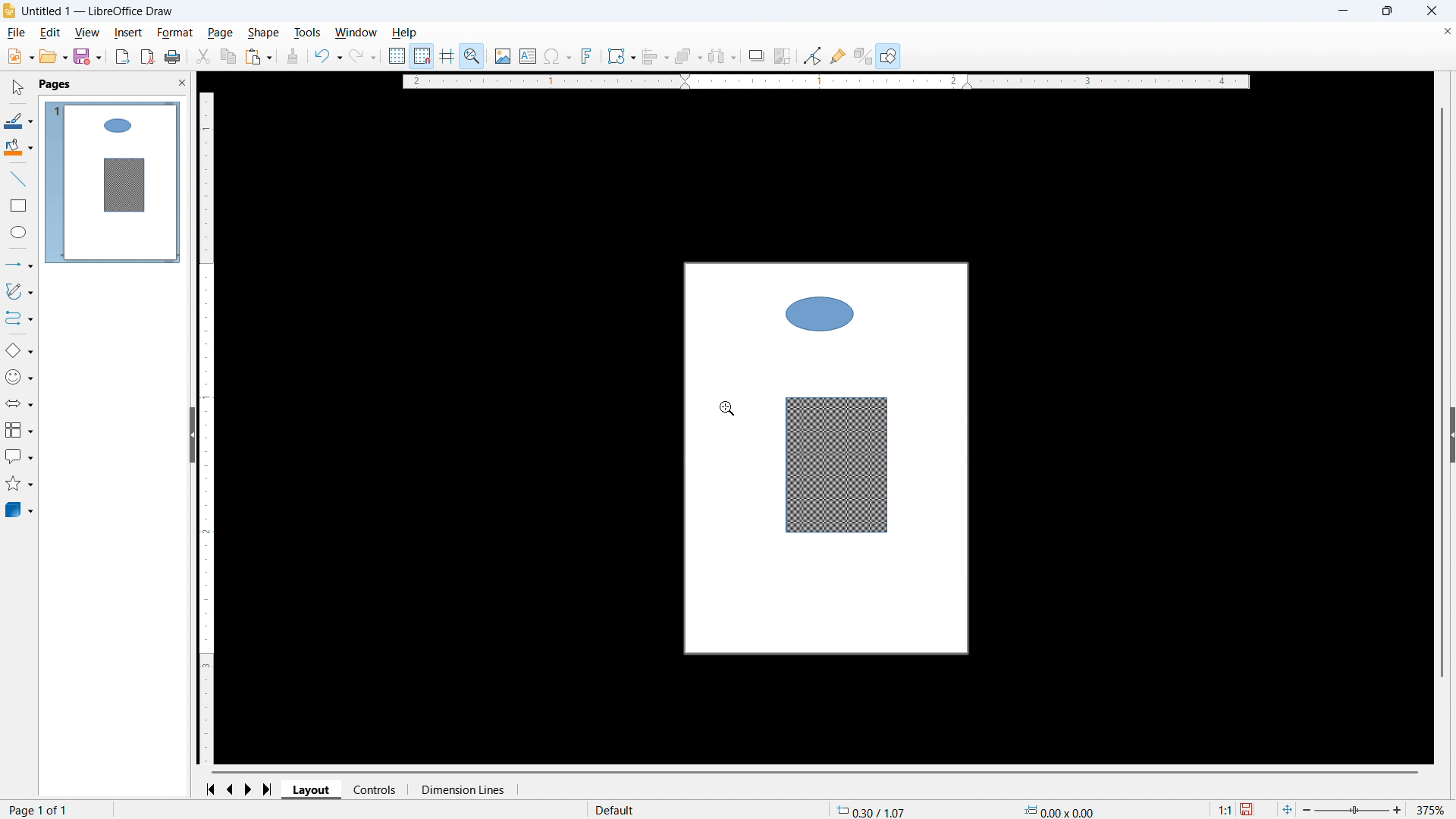  Describe the element at coordinates (206, 427) in the screenshot. I see `Vertical ruler ` at that location.